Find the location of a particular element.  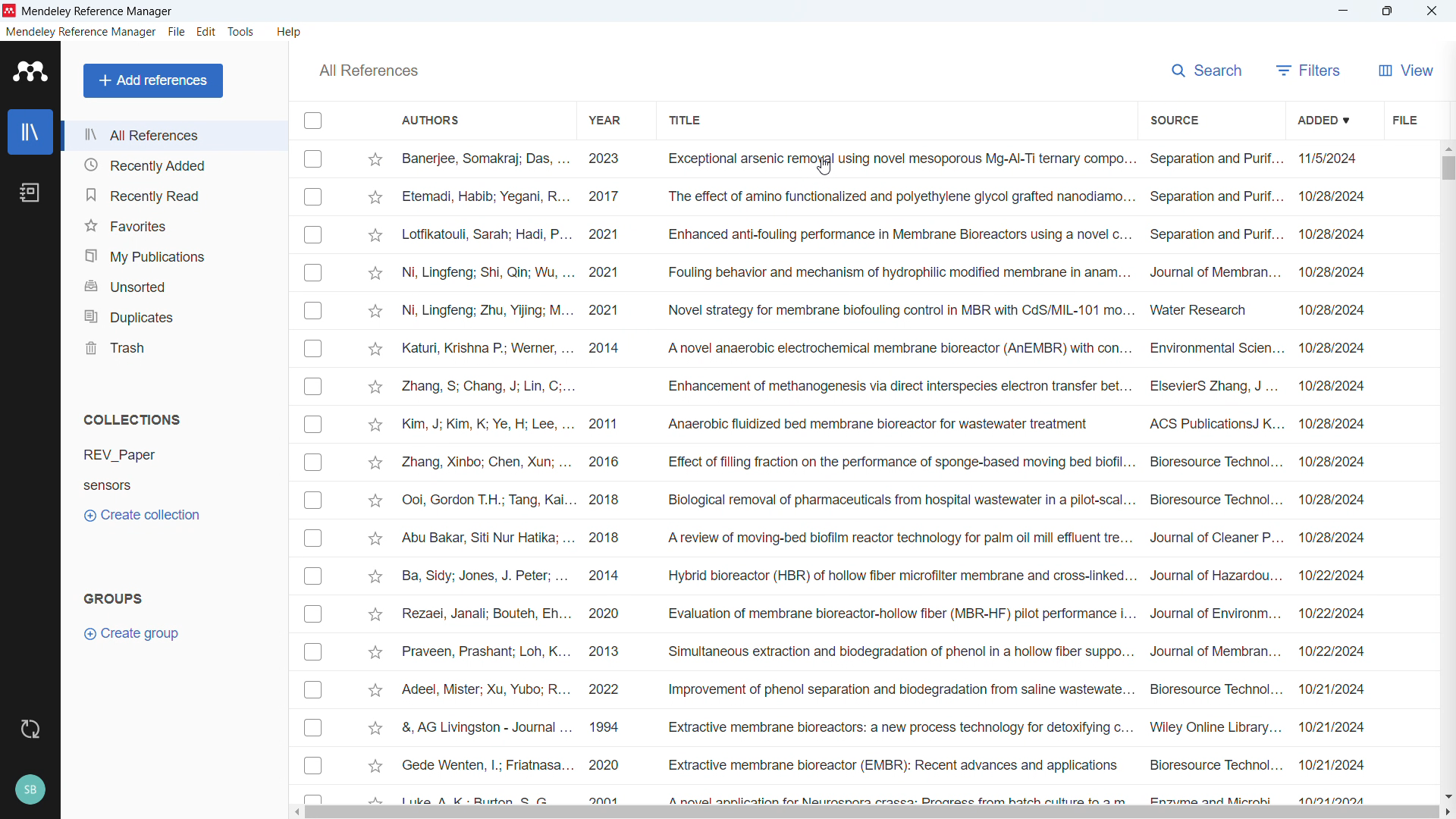

10/21/2024 is located at coordinates (1335, 728).